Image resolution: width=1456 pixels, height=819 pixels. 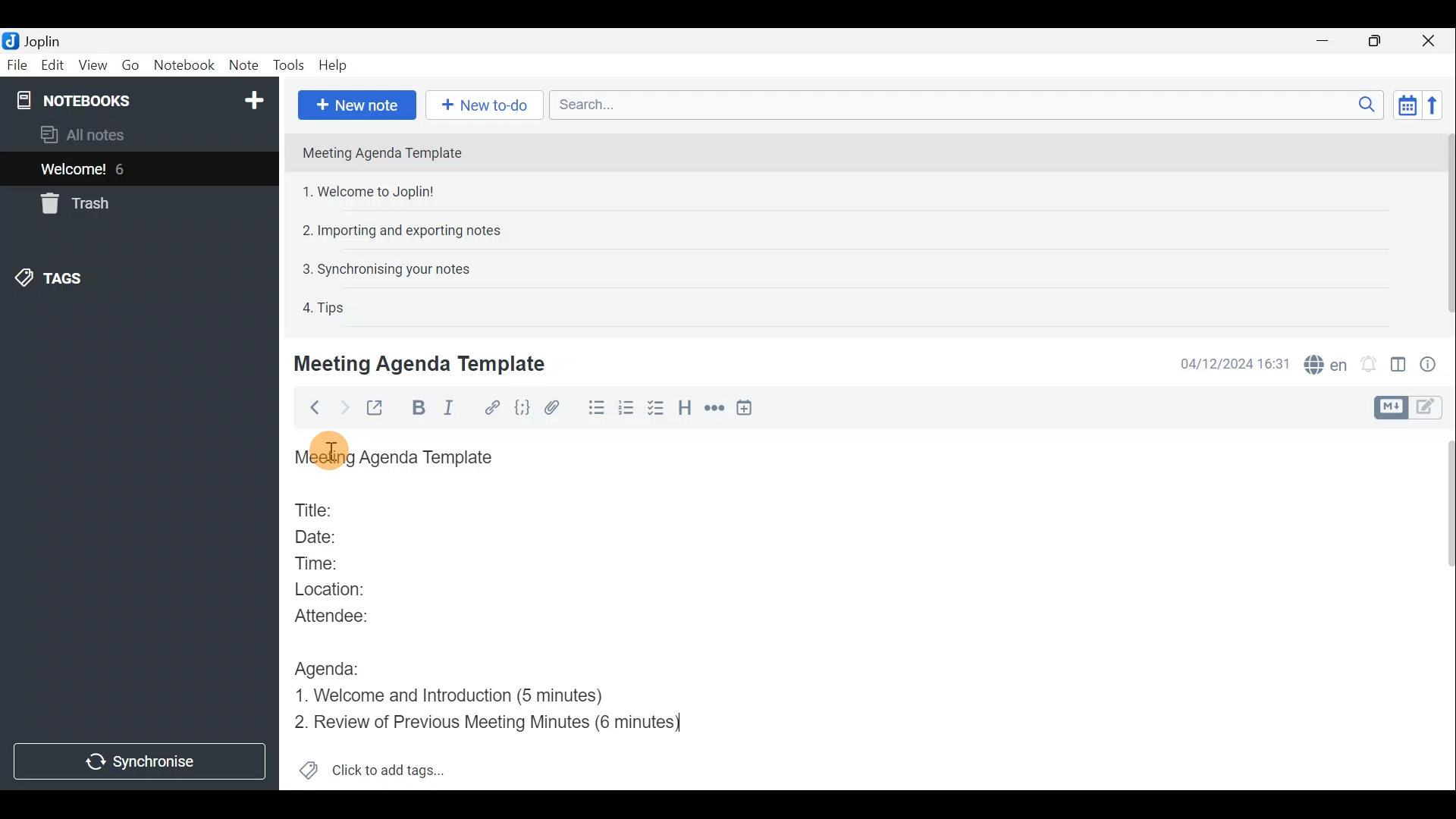 I want to click on Bold, so click(x=419, y=408).